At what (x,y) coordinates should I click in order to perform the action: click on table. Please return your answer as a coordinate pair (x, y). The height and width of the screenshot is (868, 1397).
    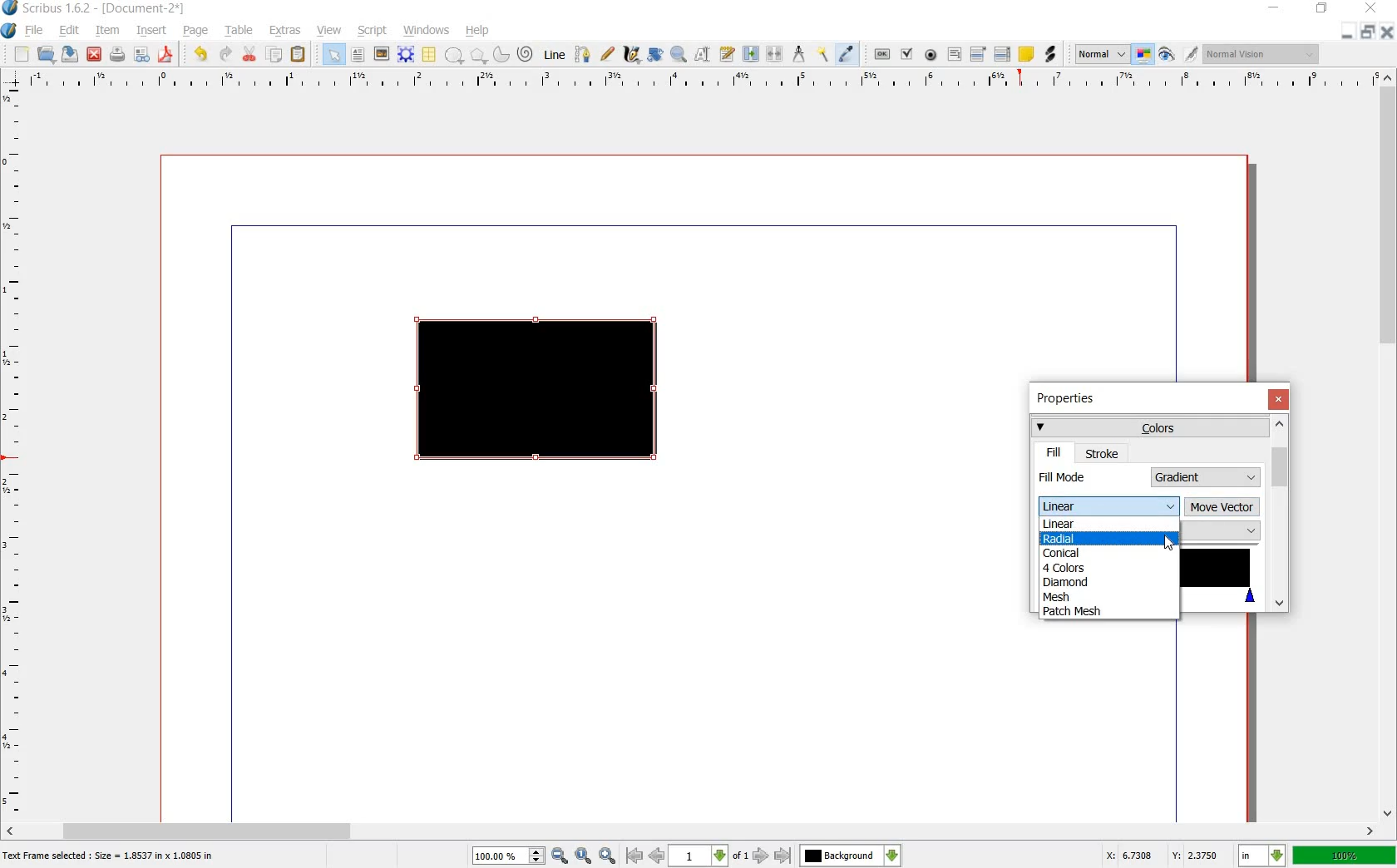
    Looking at the image, I should click on (240, 32).